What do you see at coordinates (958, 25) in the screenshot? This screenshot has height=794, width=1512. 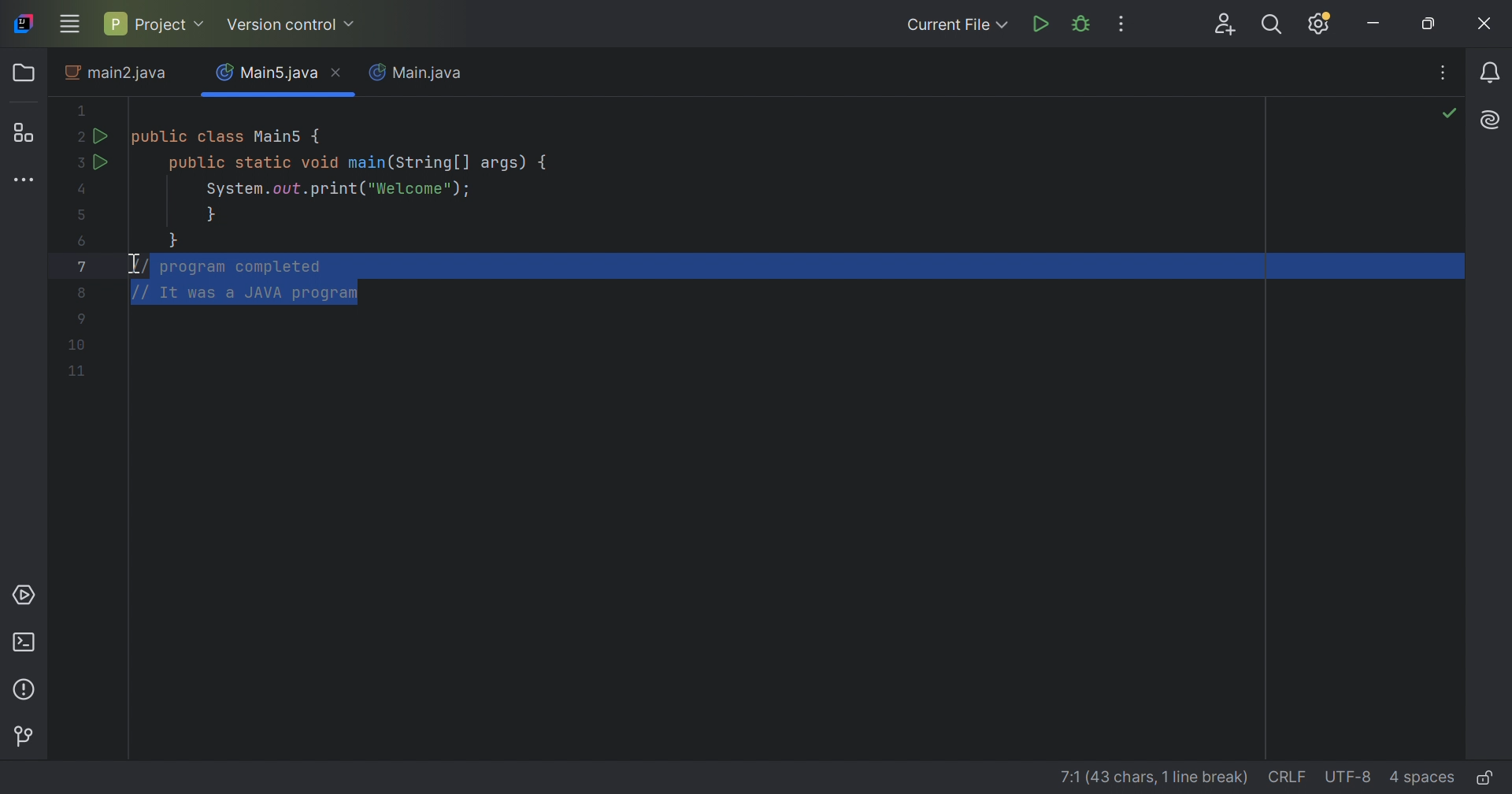 I see `Current File` at bounding box center [958, 25].